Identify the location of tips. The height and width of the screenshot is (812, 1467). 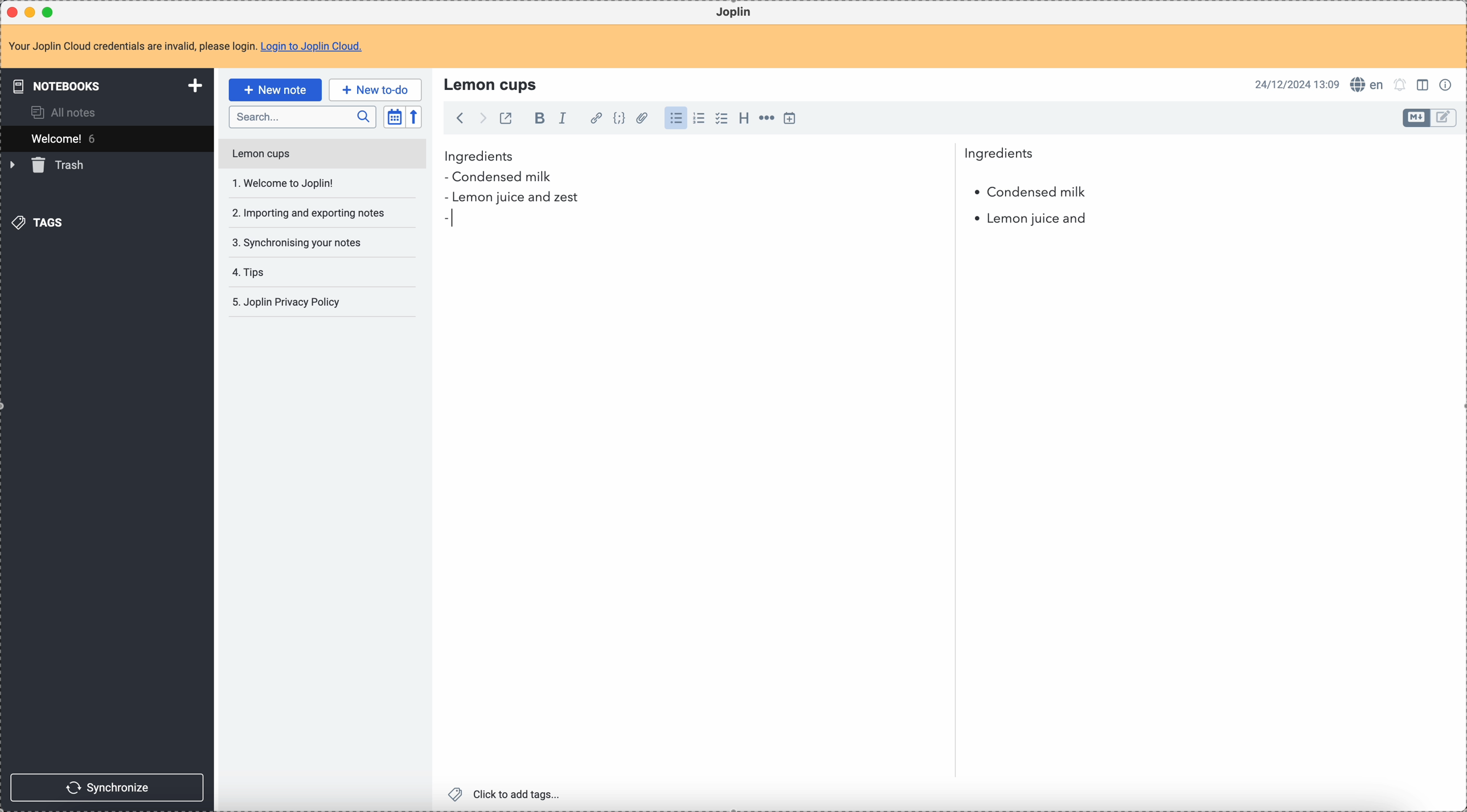
(251, 273).